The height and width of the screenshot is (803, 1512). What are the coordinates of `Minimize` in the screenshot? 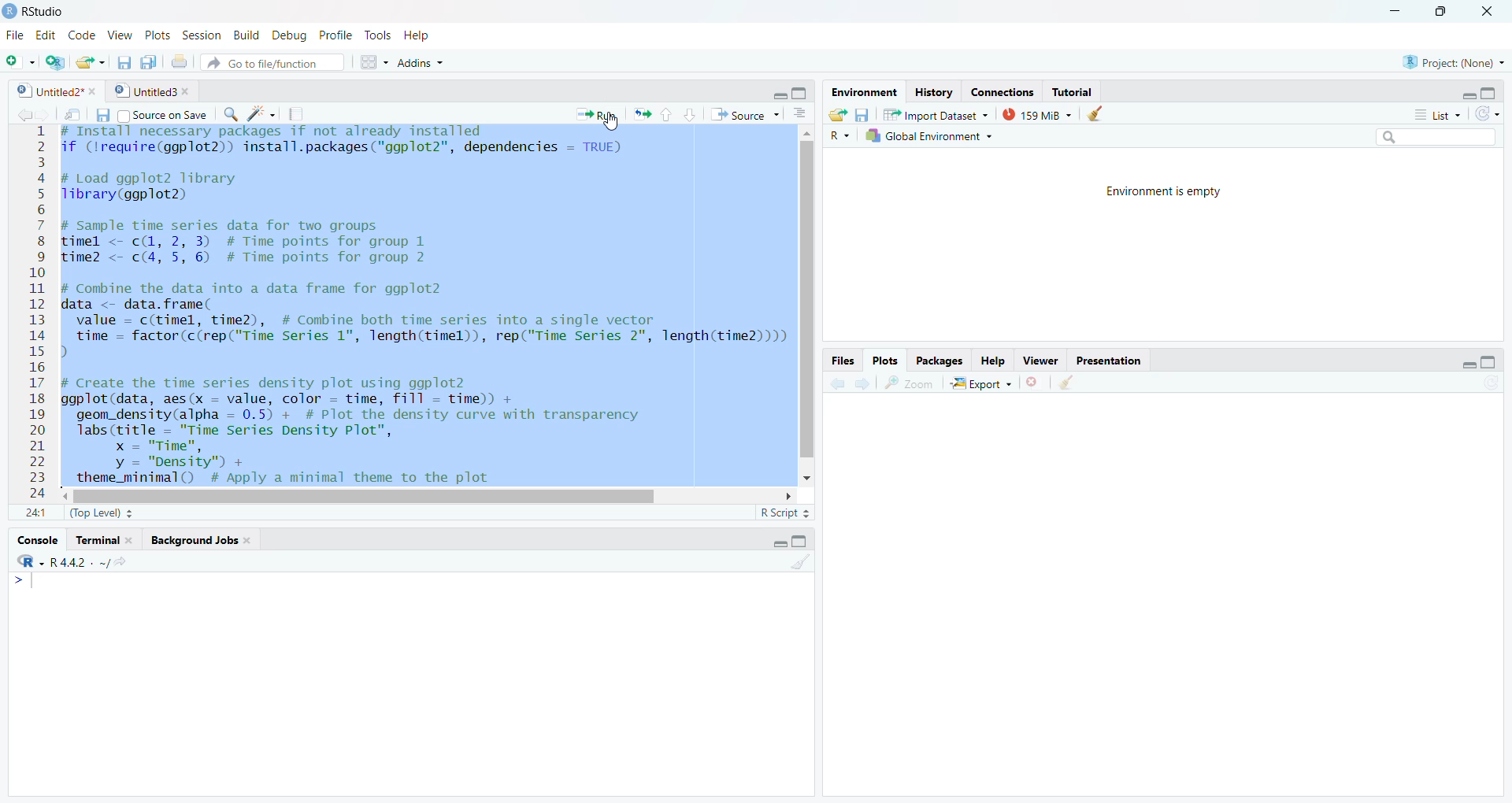 It's located at (1459, 363).